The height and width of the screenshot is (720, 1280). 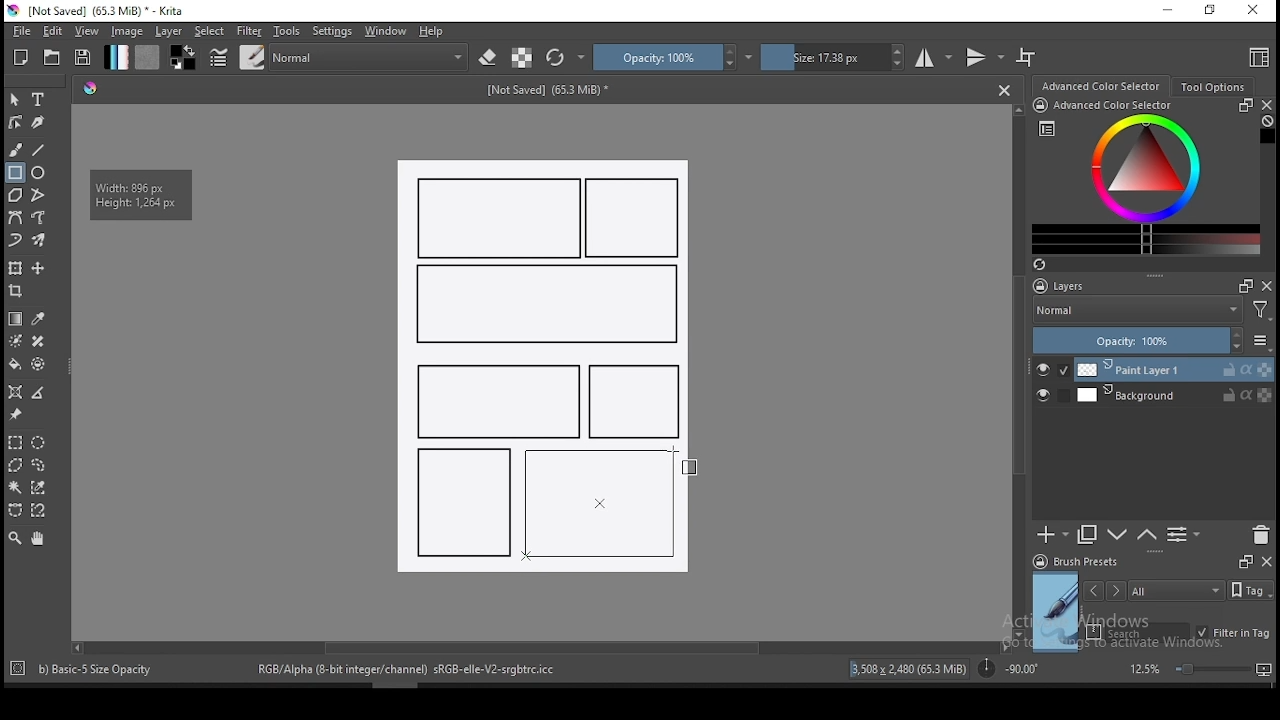 What do you see at coordinates (1142, 176) in the screenshot?
I see `advanced color selector` at bounding box center [1142, 176].